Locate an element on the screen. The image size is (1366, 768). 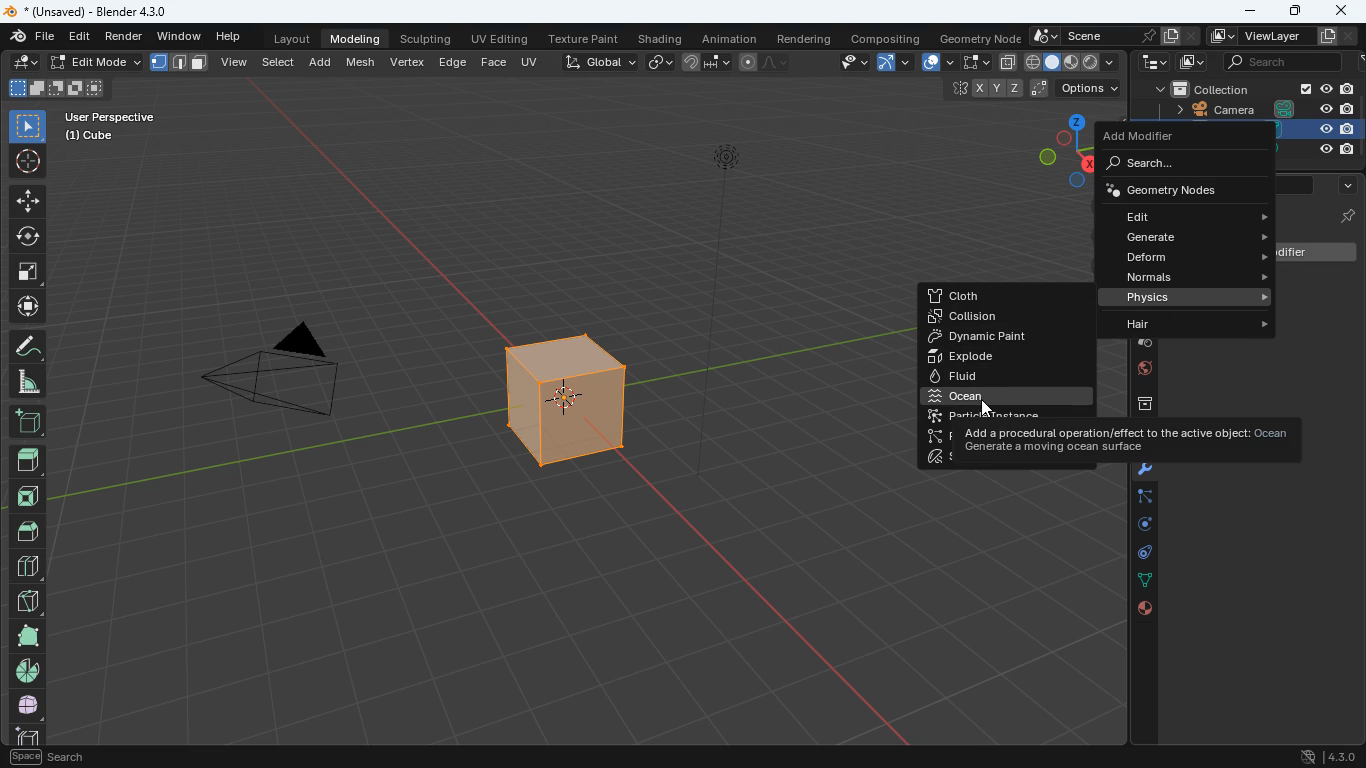
ocean is located at coordinates (1010, 396).